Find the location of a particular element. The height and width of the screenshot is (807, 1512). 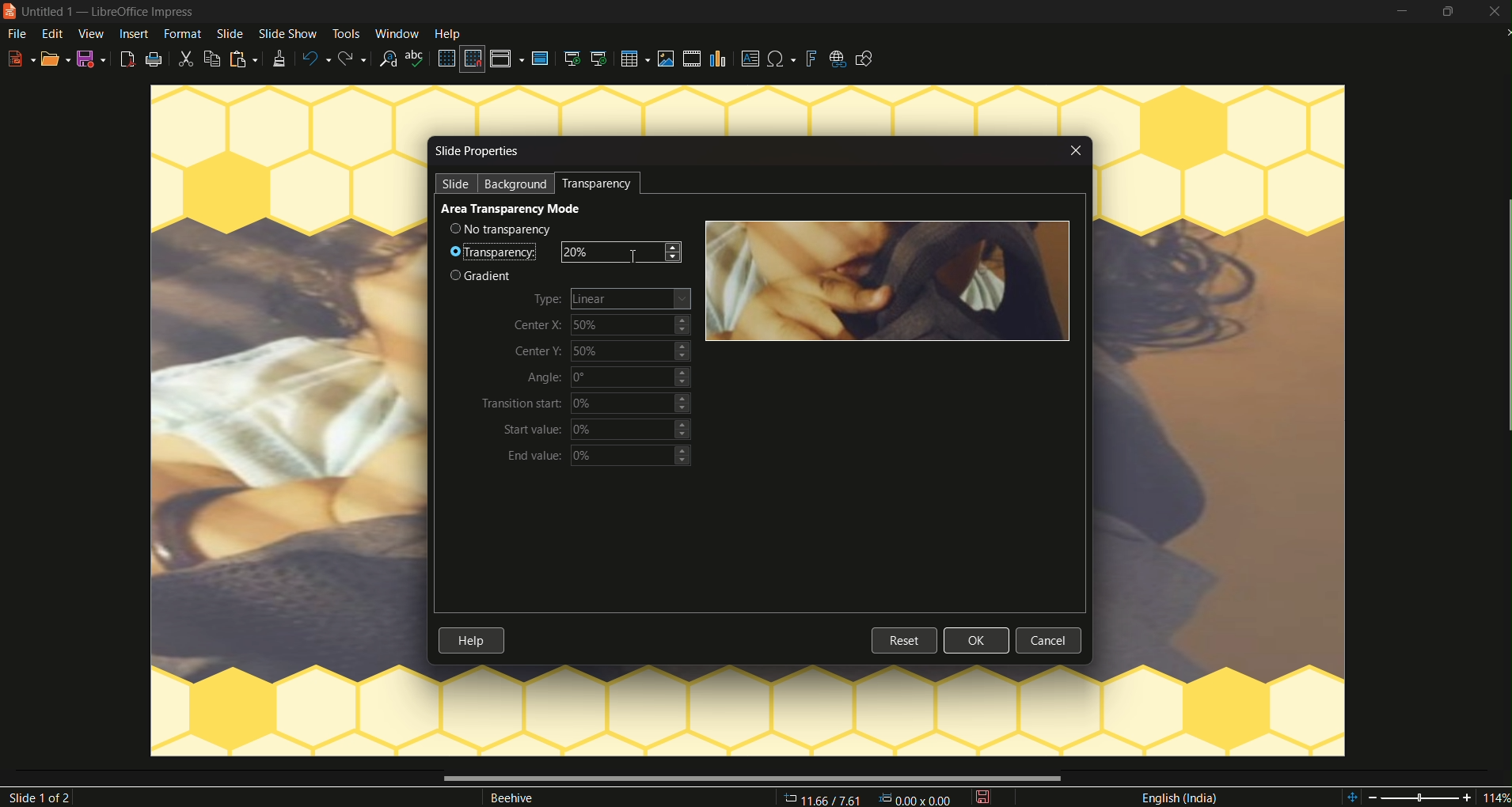

center X is located at coordinates (540, 325).